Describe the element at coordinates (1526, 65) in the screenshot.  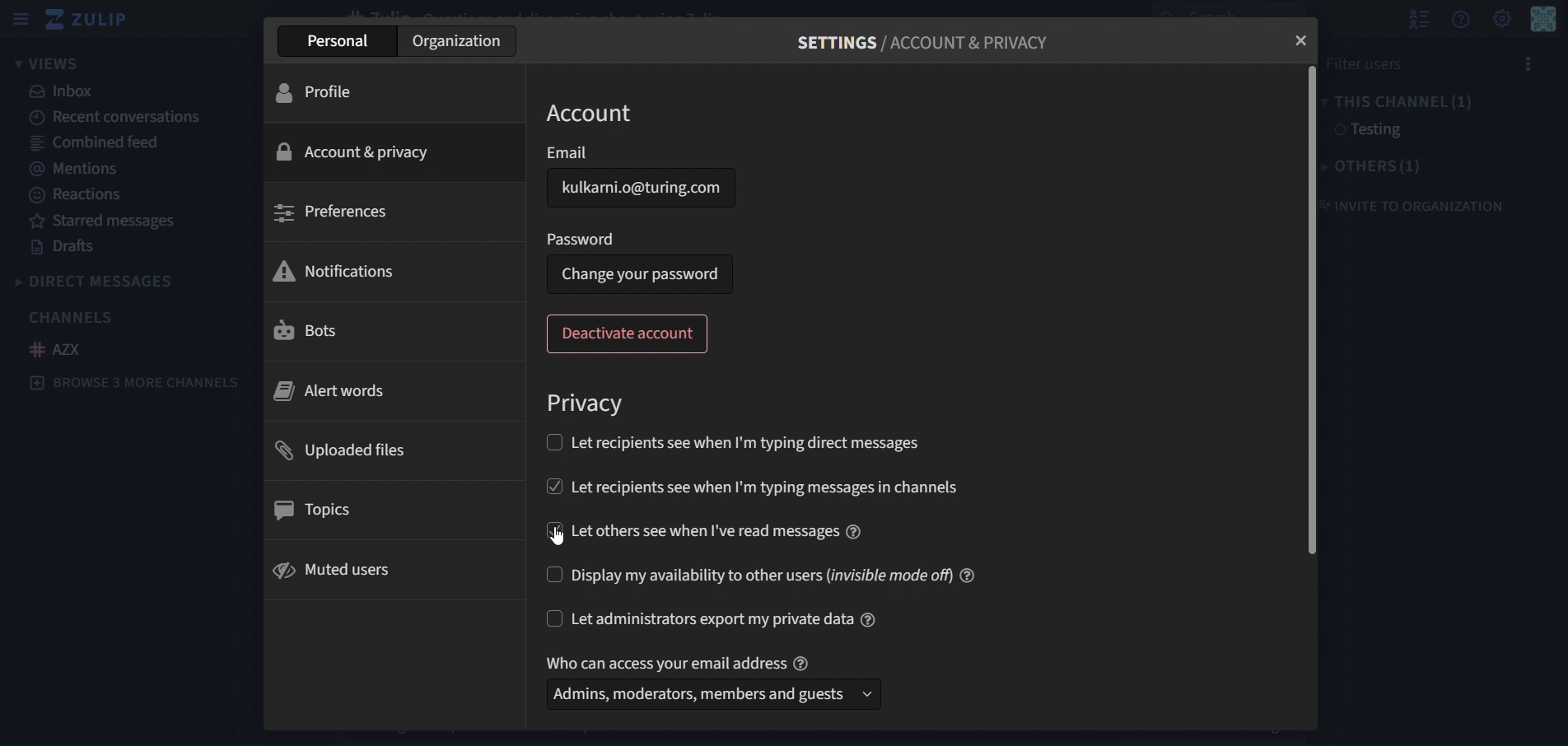
I see `menu` at that location.